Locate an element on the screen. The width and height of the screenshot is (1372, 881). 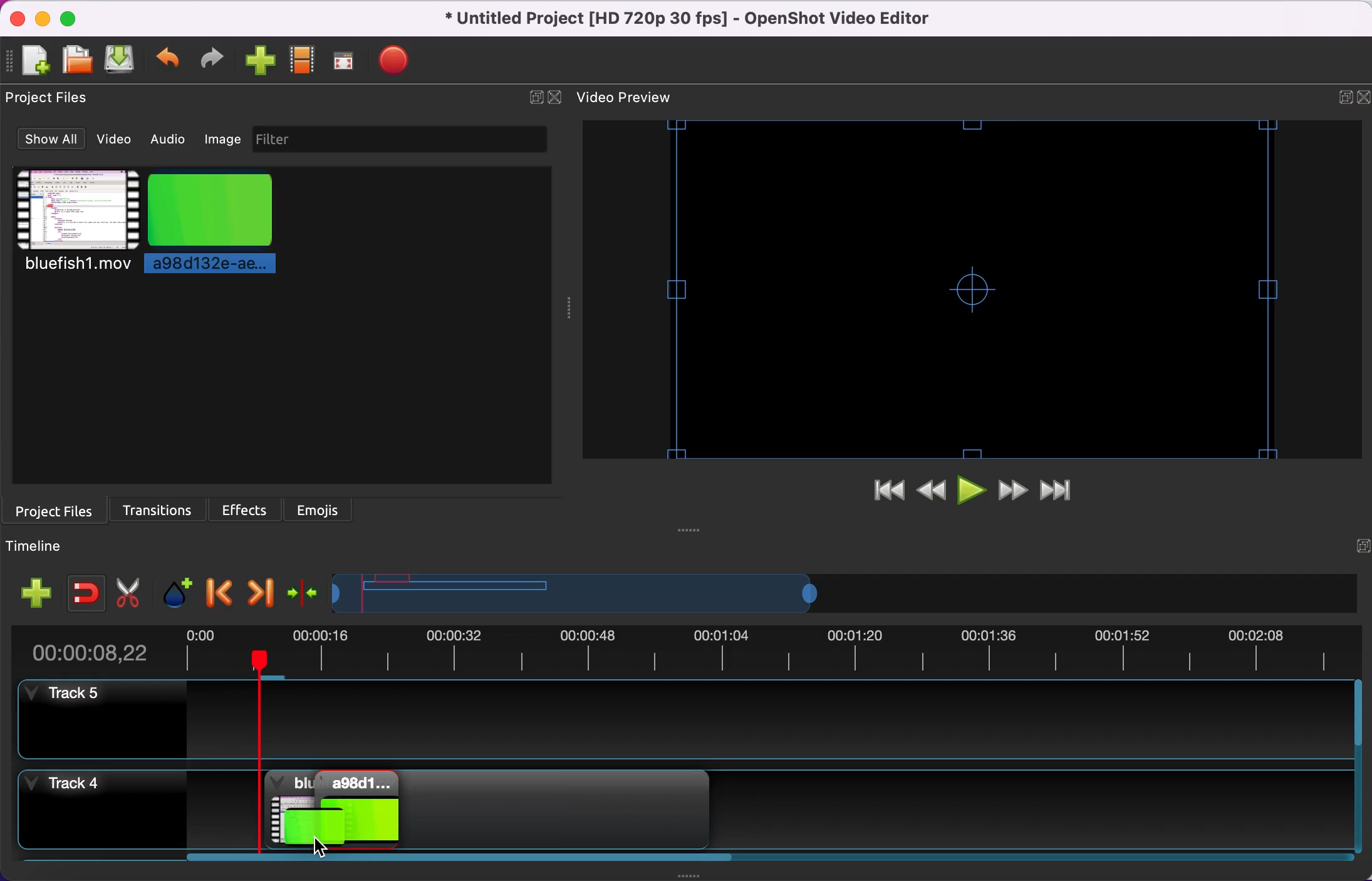
timeline is located at coordinates (46, 548).